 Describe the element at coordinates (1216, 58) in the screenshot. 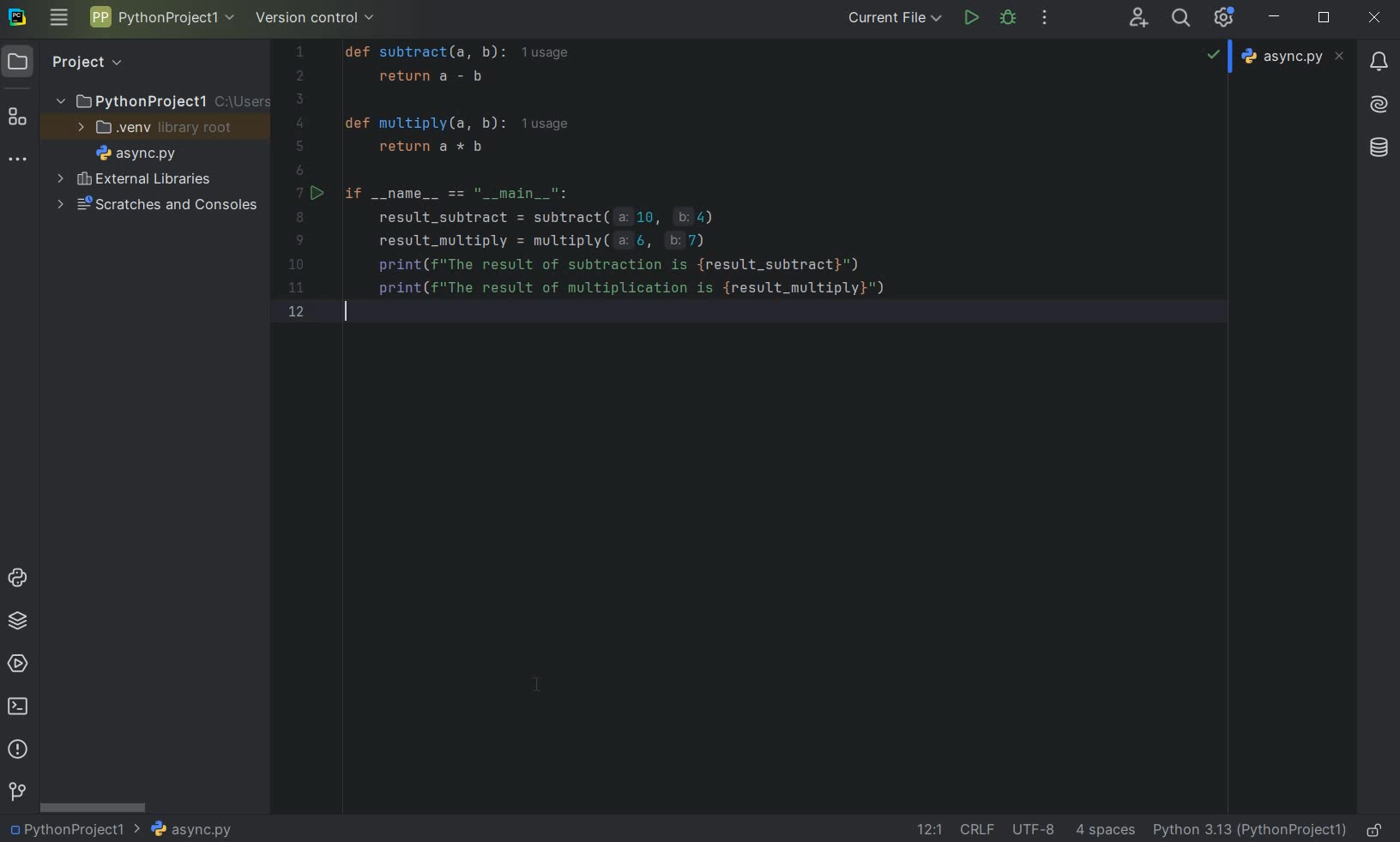

I see `no highlighted problems` at that location.